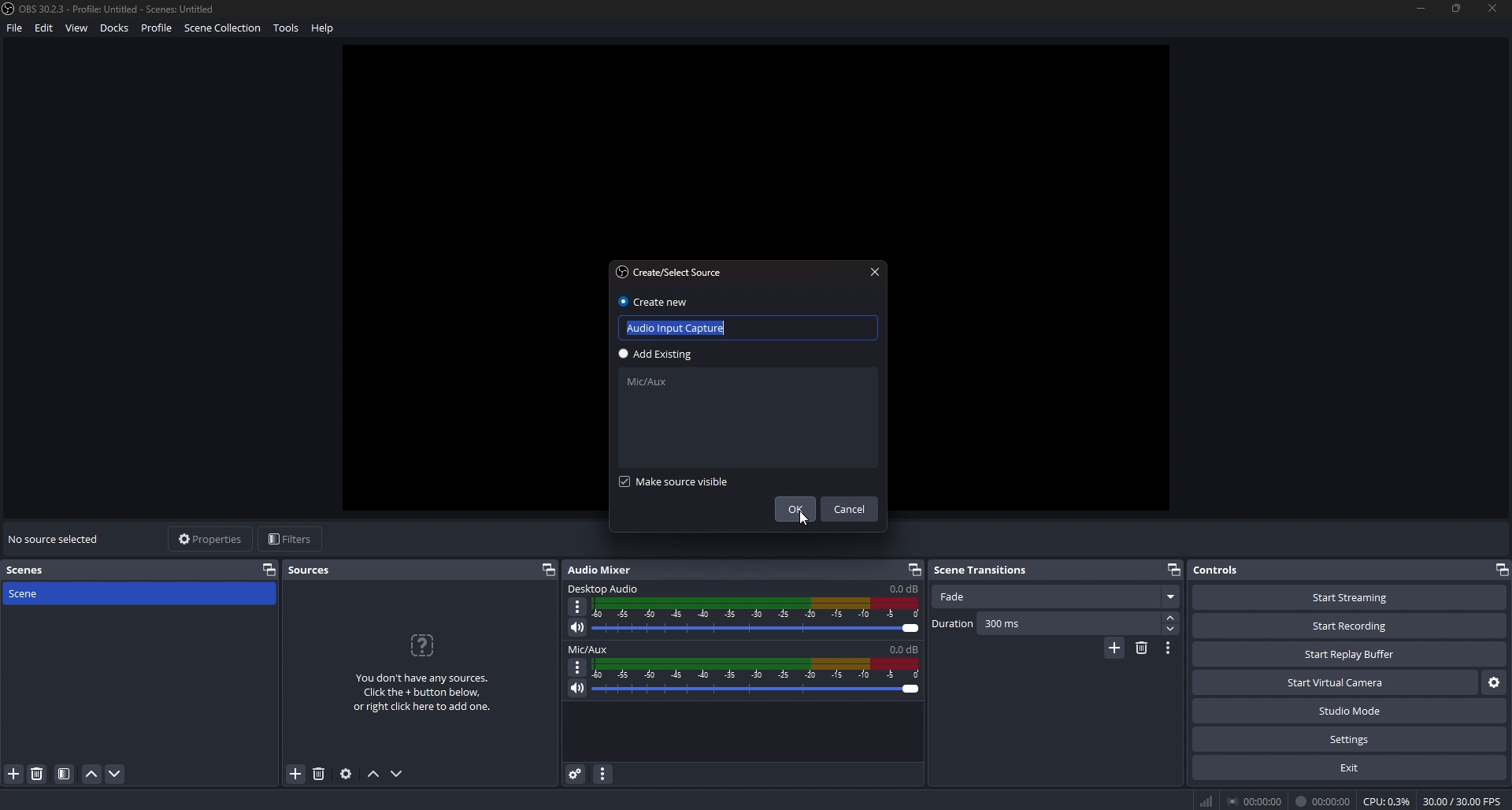  I want to click on I it, so click(1325, 801).